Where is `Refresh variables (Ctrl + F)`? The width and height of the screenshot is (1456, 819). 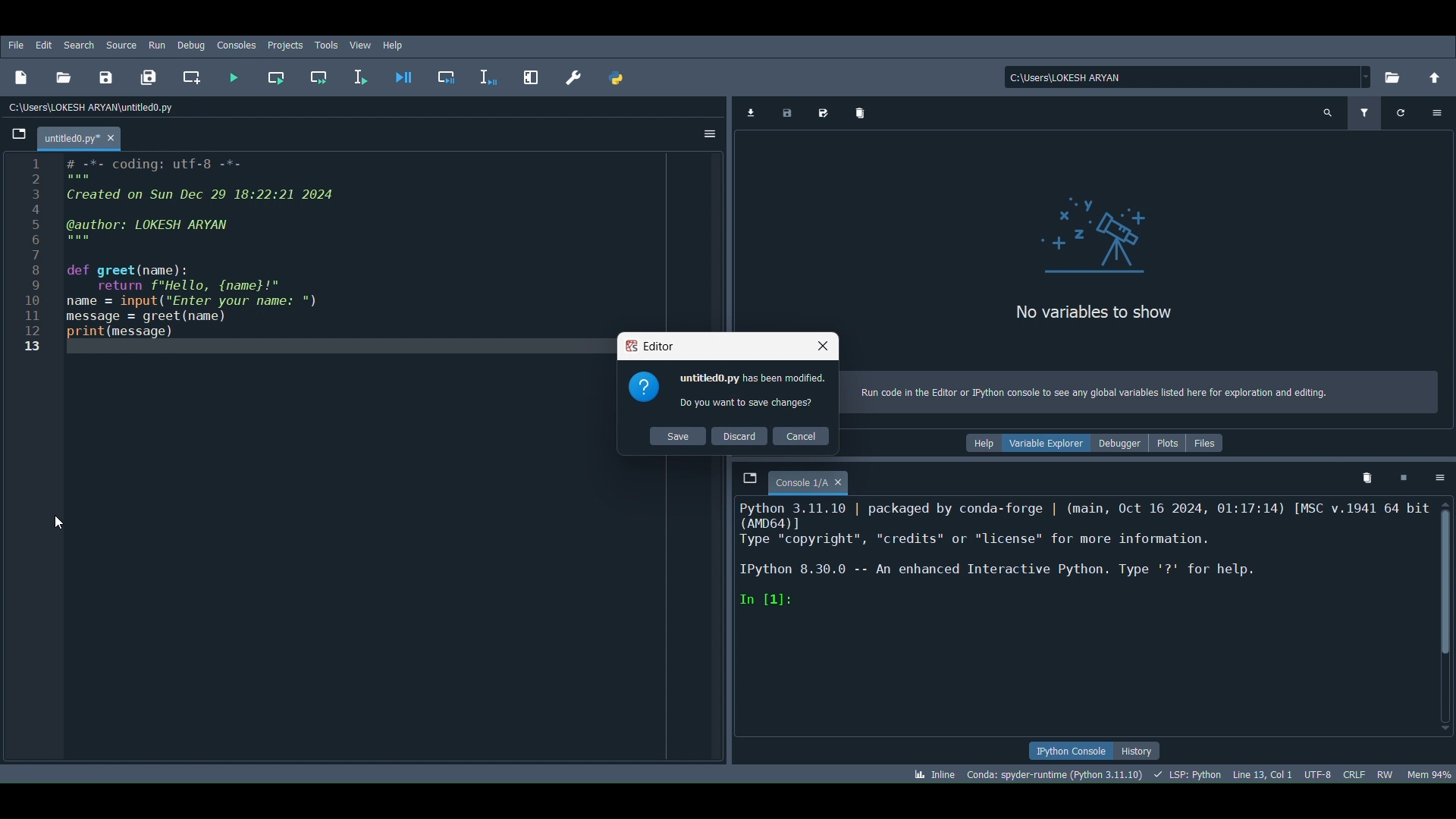 Refresh variables (Ctrl + F) is located at coordinates (1398, 111).